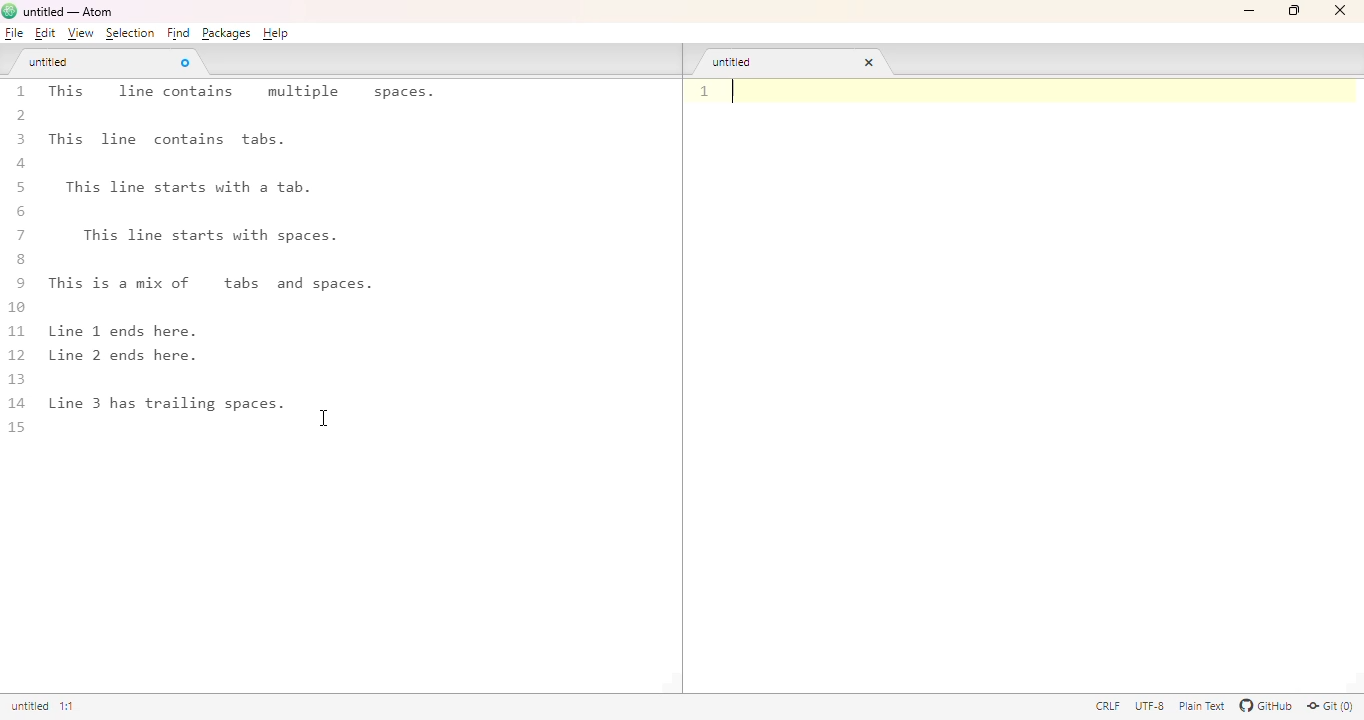 The width and height of the screenshot is (1364, 720). I want to click on text cursor, so click(733, 92).